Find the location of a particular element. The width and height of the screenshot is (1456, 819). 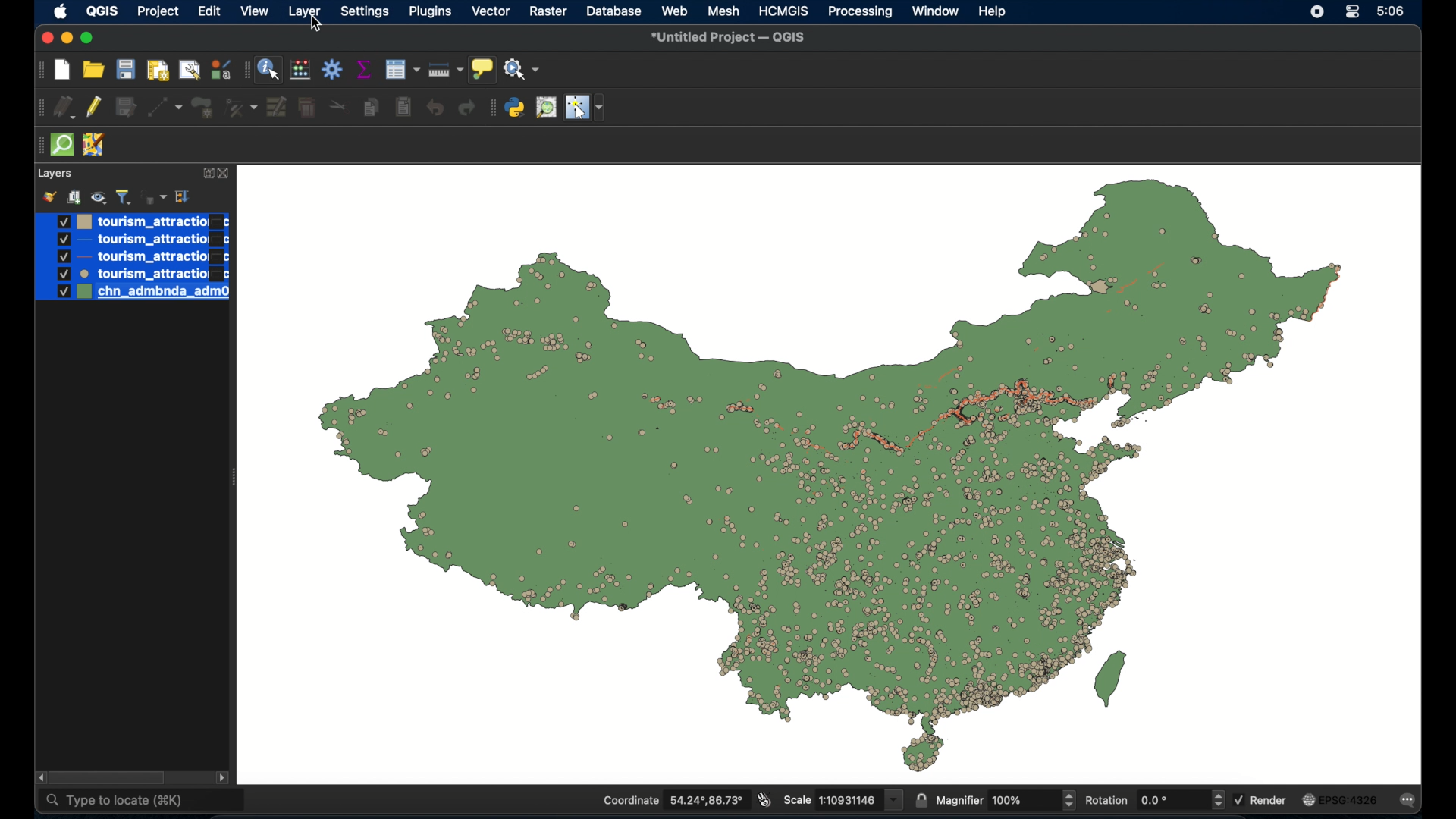

delete selected  is located at coordinates (306, 108).